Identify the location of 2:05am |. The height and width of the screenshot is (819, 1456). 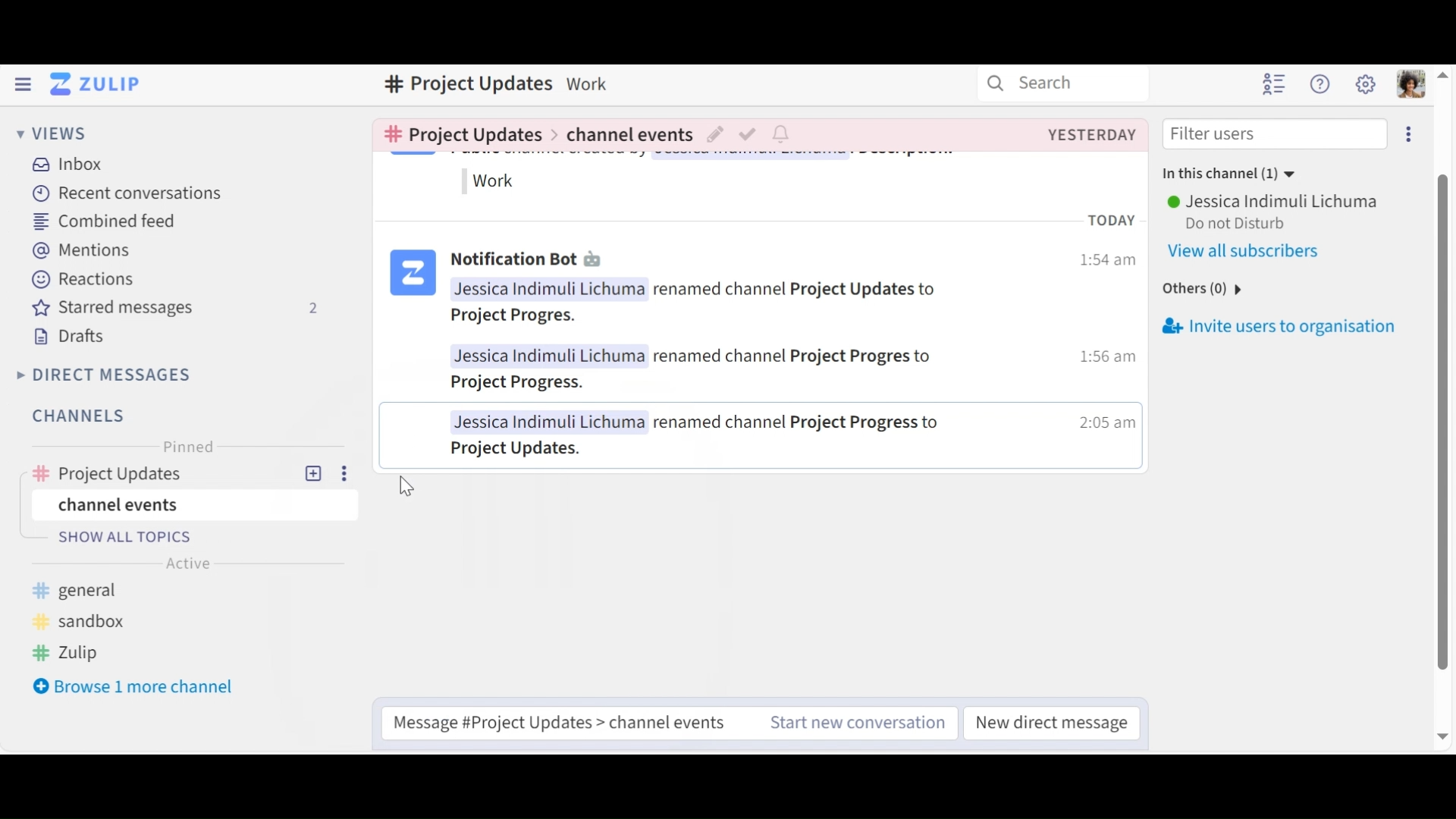
(1106, 427).